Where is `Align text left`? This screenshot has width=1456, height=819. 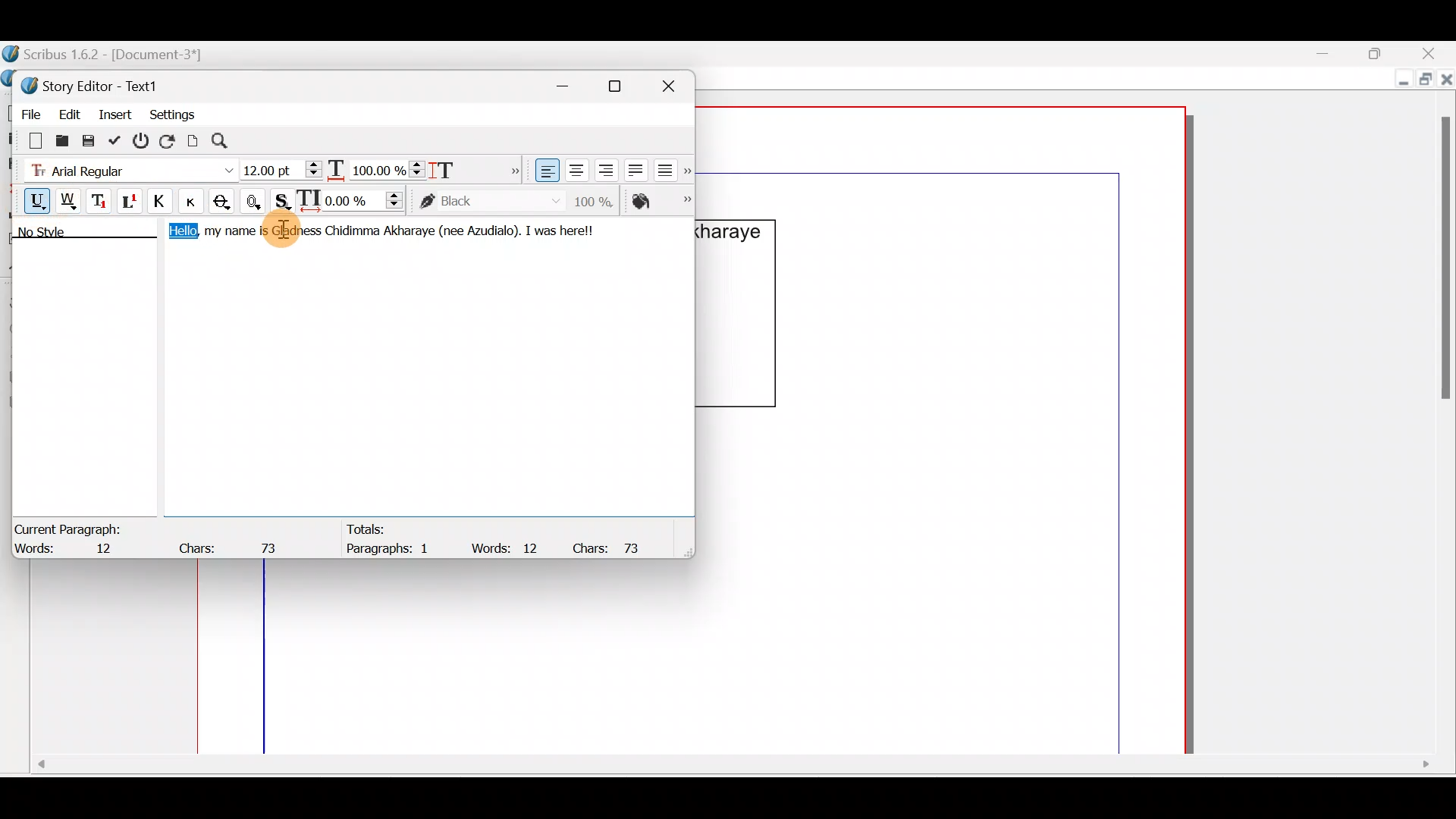
Align text left is located at coordinates (545, 171).